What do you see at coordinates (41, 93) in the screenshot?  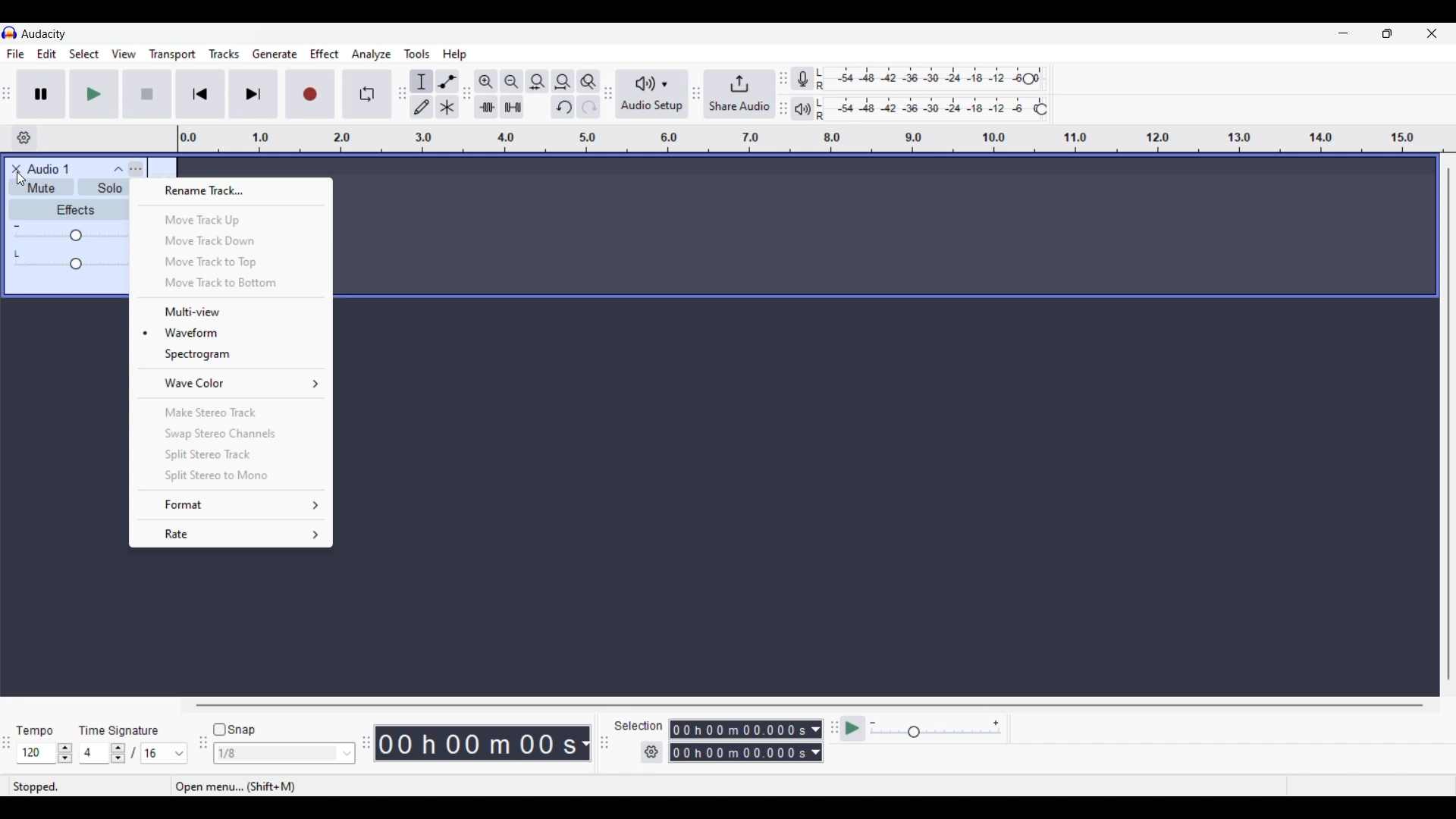 I see `Pause` at bounding box center [41, 93].